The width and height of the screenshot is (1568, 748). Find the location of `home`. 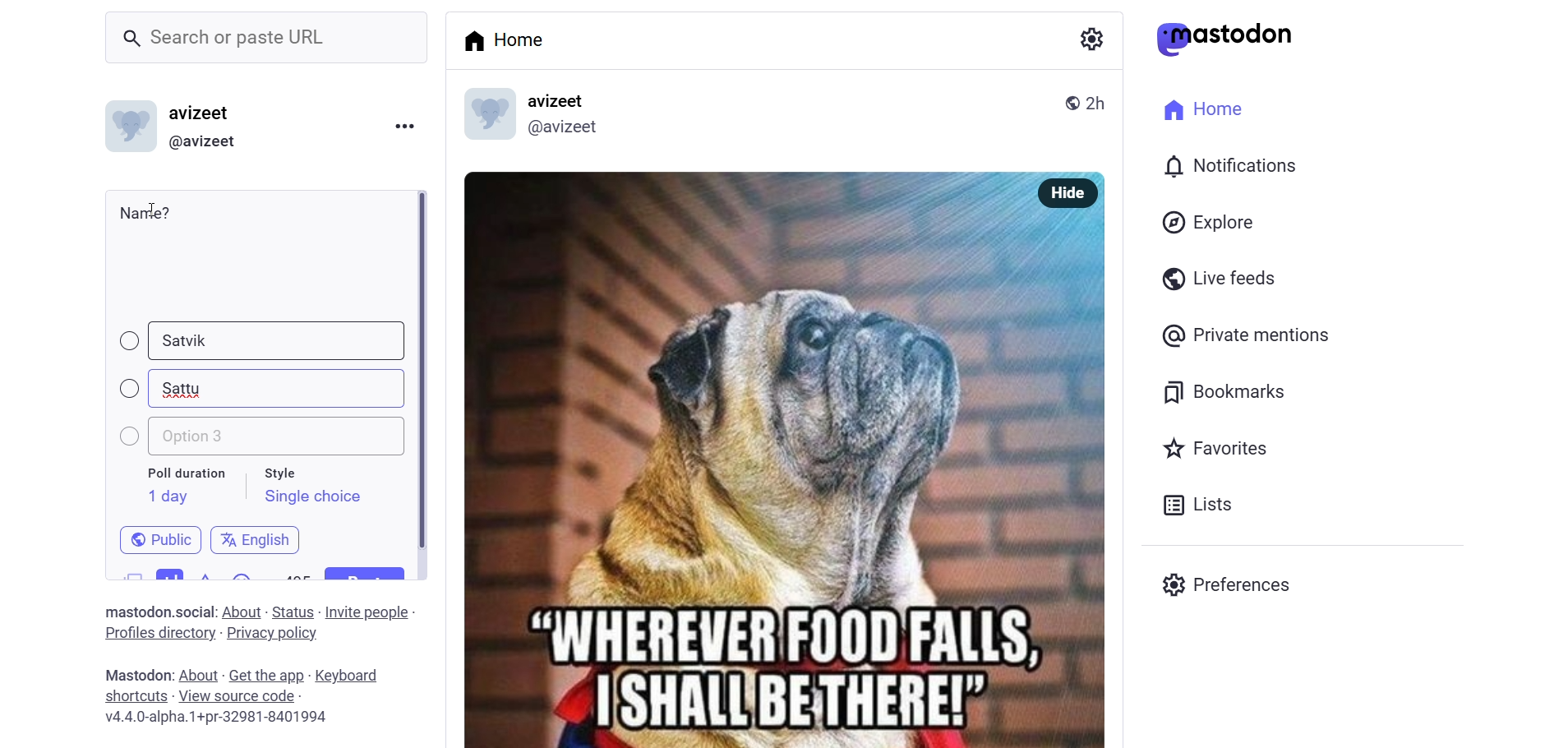

home is located at coordinates (510, 39).